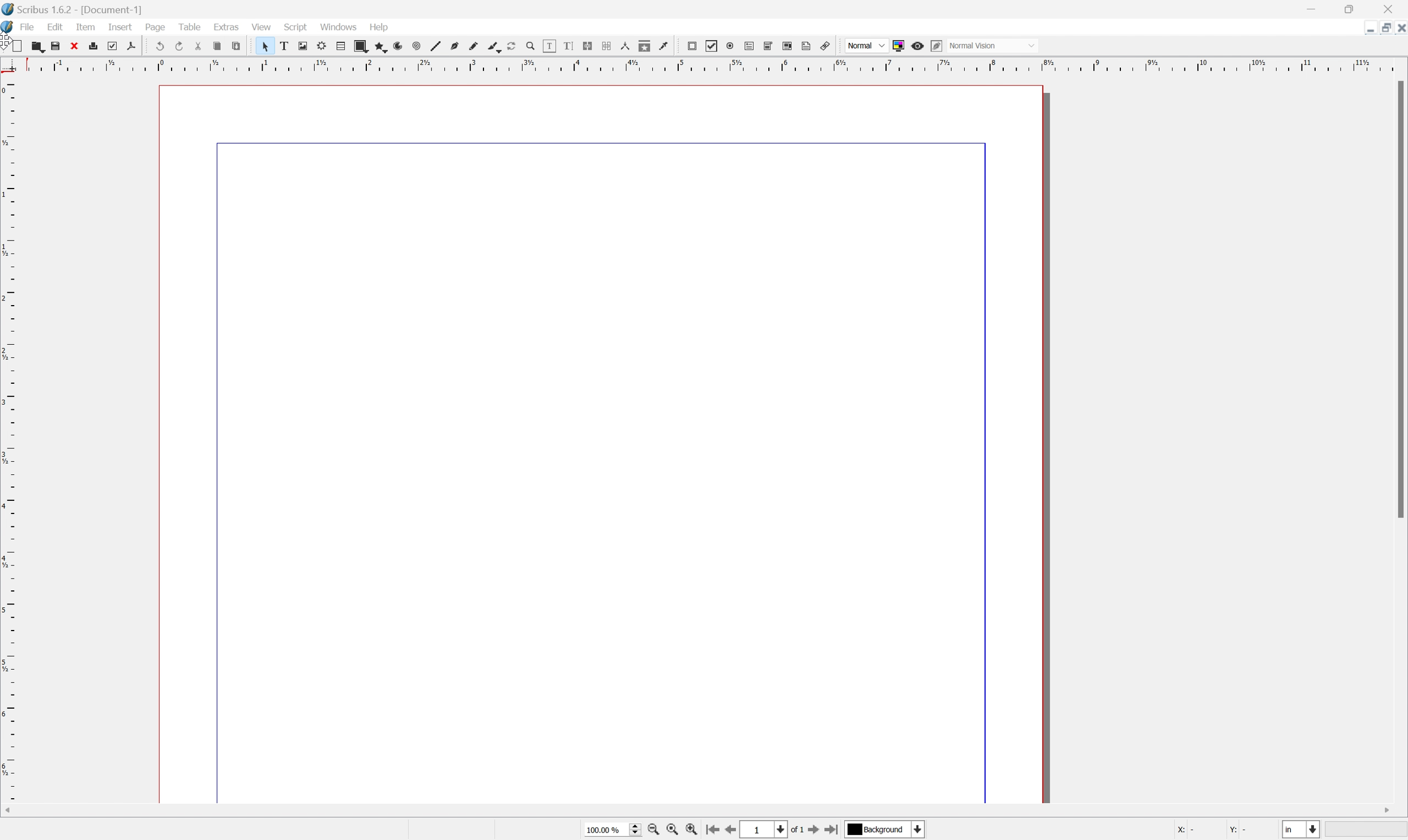 This screenshot has width=1408, height=840. I want to click on Background, so click(884, 830).